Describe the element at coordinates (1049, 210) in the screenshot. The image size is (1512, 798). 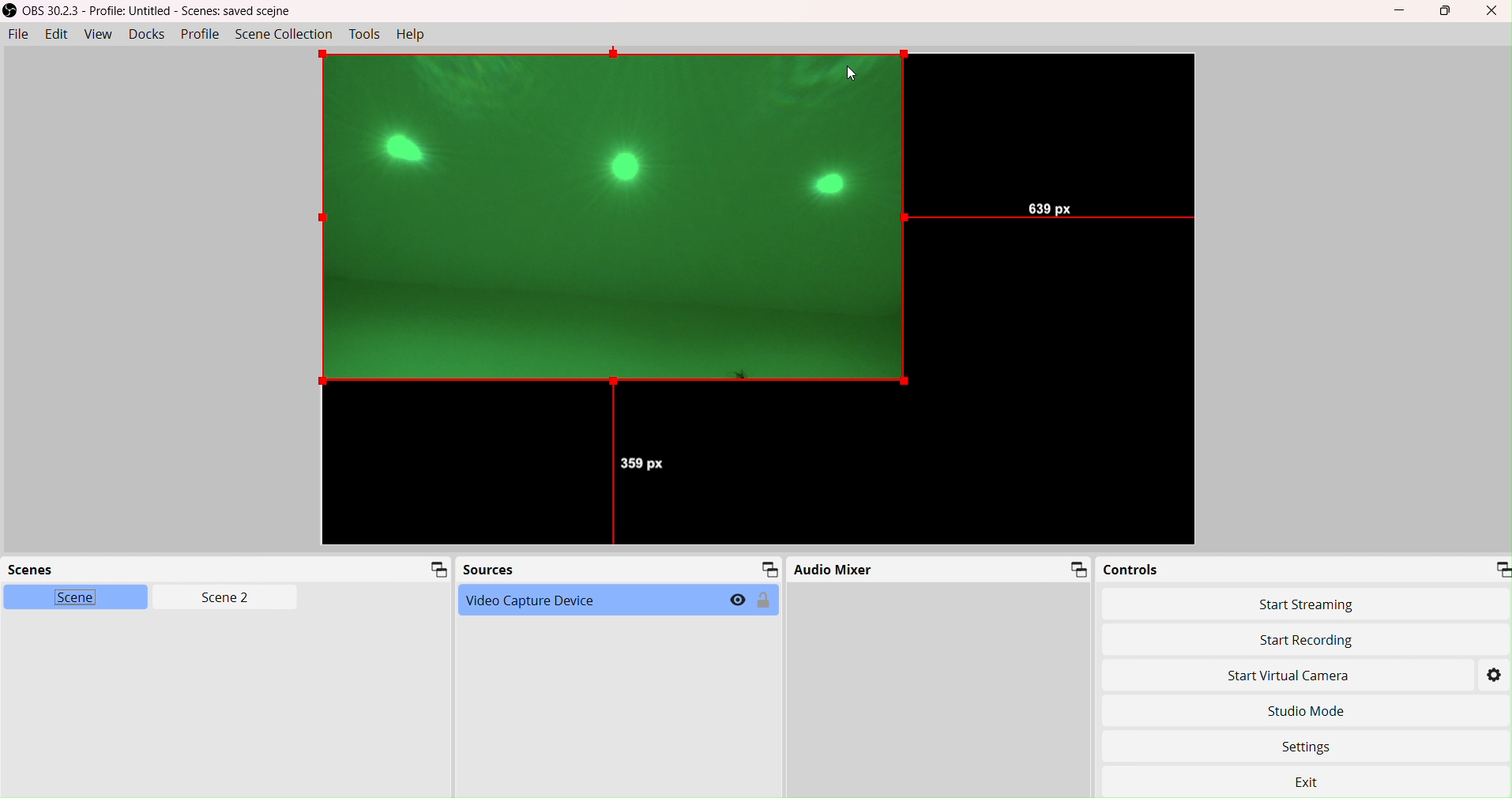
I see `639 px` at that location.